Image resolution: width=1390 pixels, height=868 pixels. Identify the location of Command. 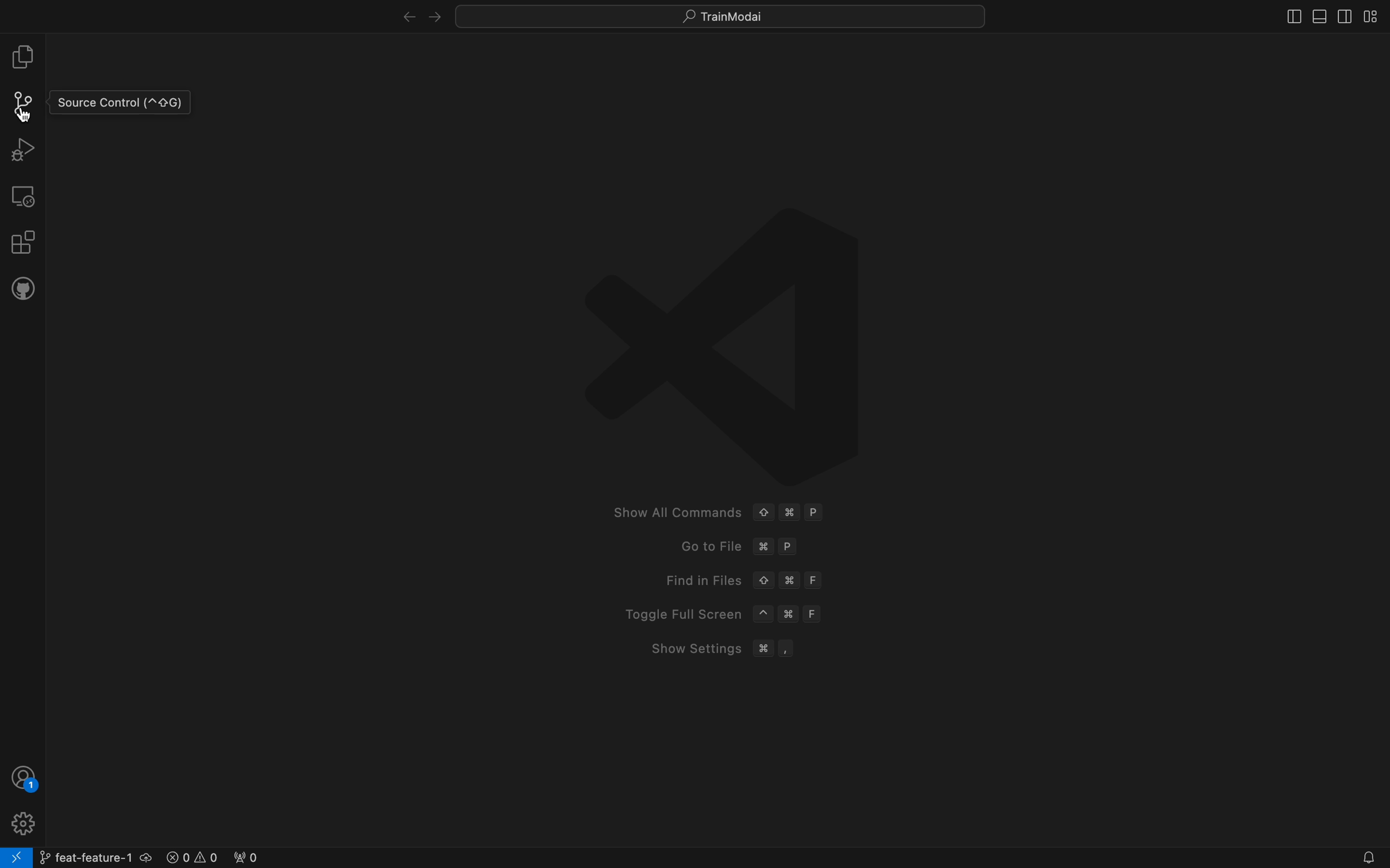
(764, 650).